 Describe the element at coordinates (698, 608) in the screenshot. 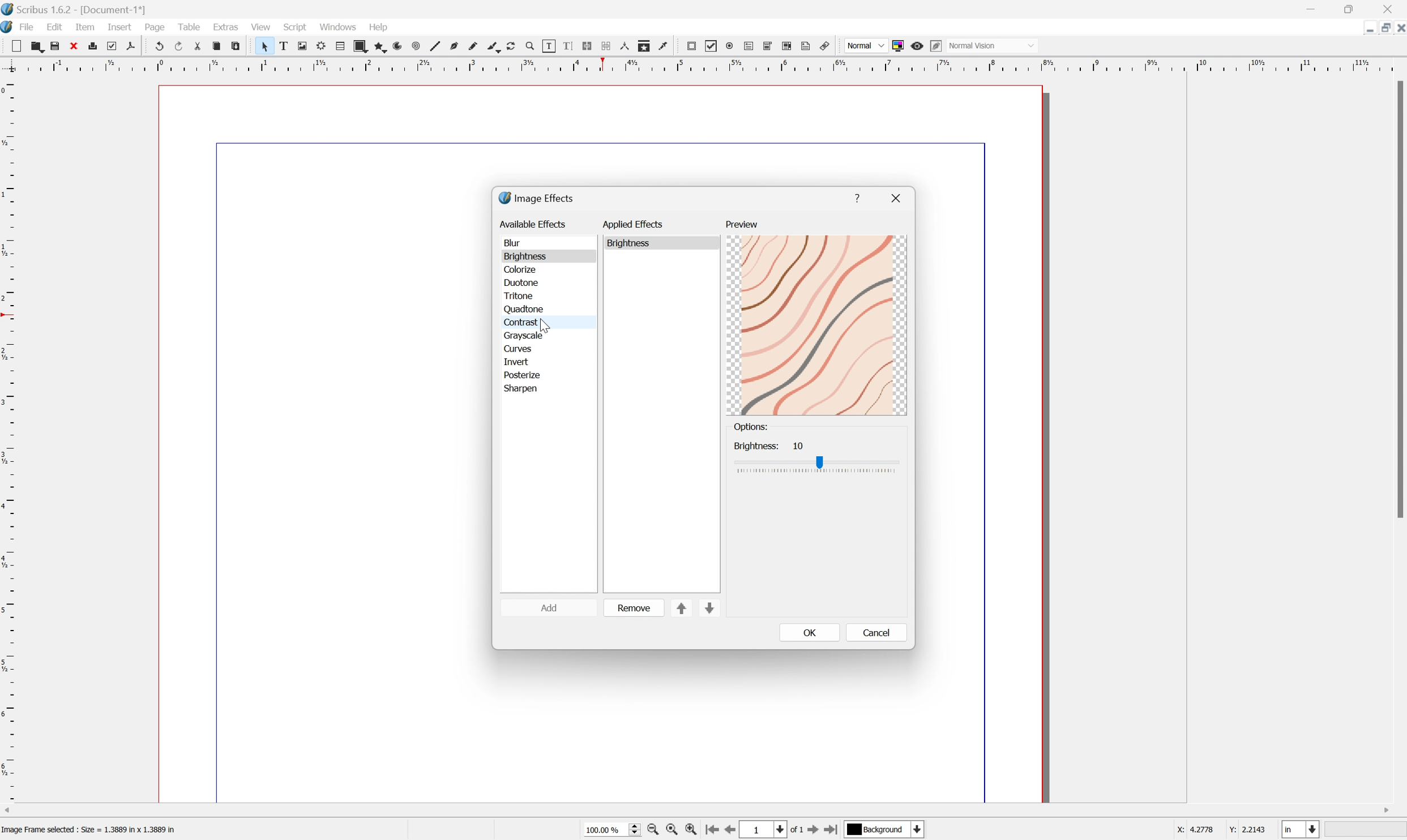

I see `sort` at that location.